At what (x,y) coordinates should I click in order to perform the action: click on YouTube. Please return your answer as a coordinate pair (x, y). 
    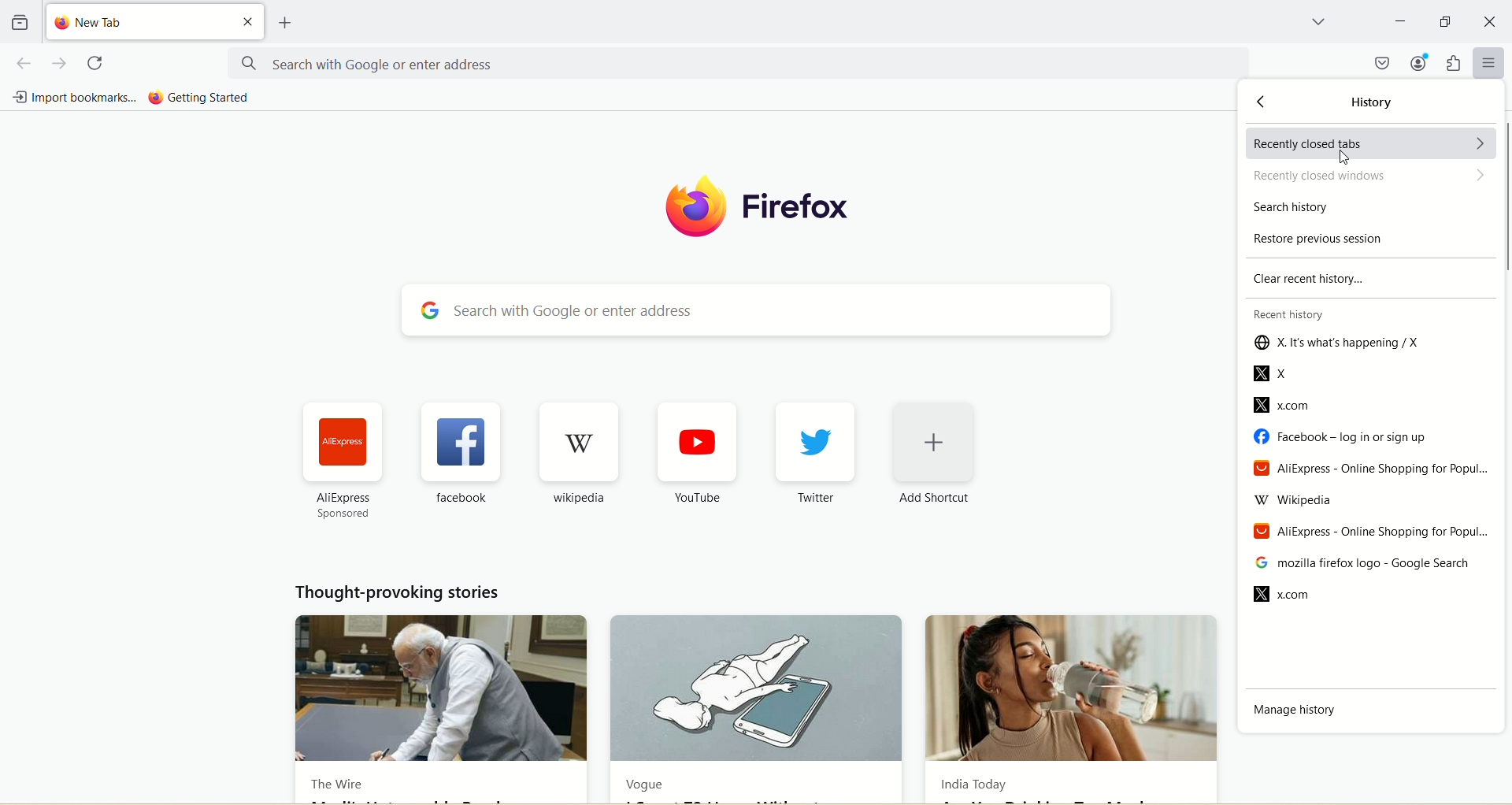
    Looking at the image, I should click on (694, 497).